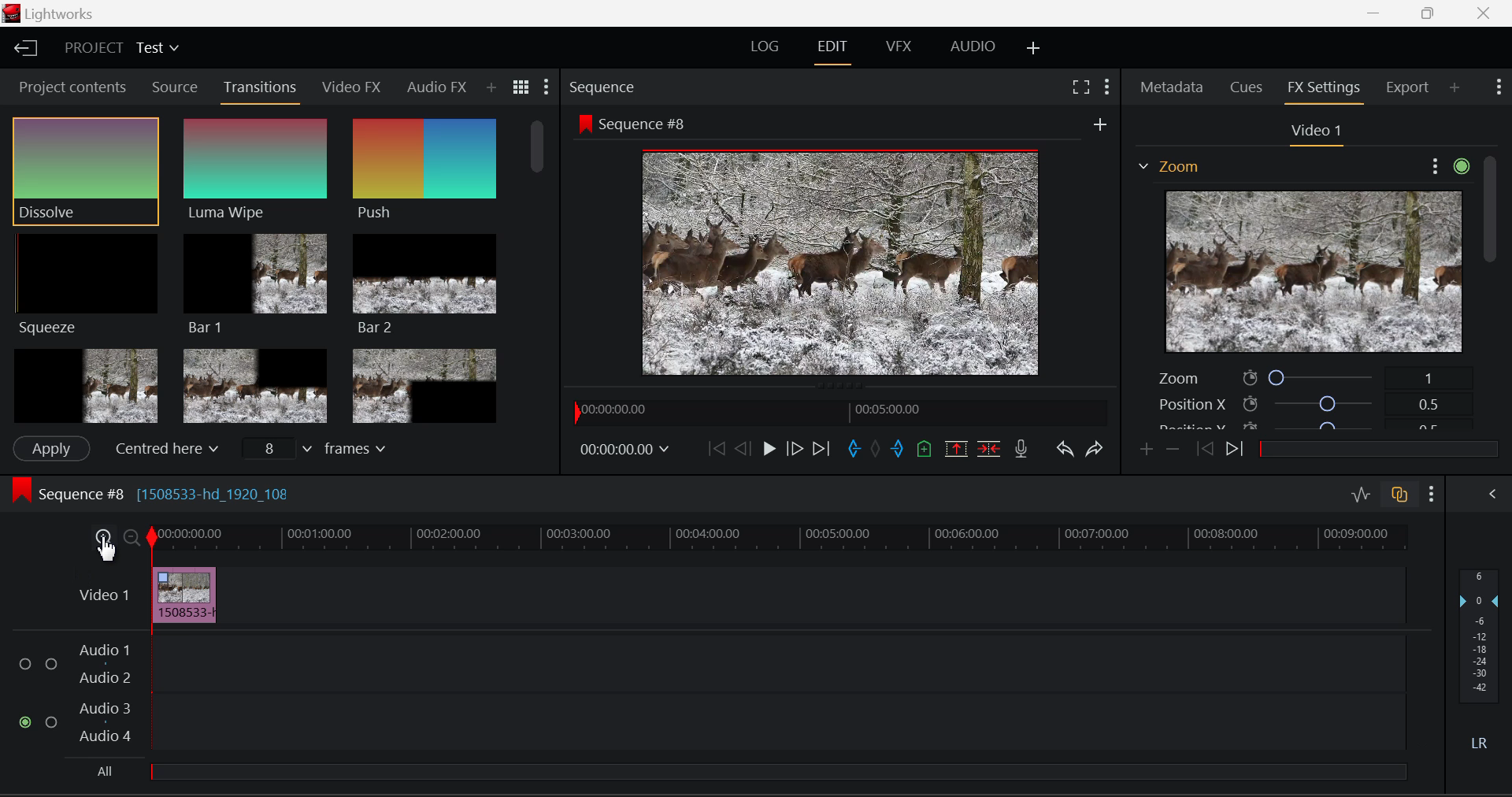 The image size is (1512, 797). Describe the element at coordinates (1480, 636) in the screenshot. I see `Decibel Level` at that location.